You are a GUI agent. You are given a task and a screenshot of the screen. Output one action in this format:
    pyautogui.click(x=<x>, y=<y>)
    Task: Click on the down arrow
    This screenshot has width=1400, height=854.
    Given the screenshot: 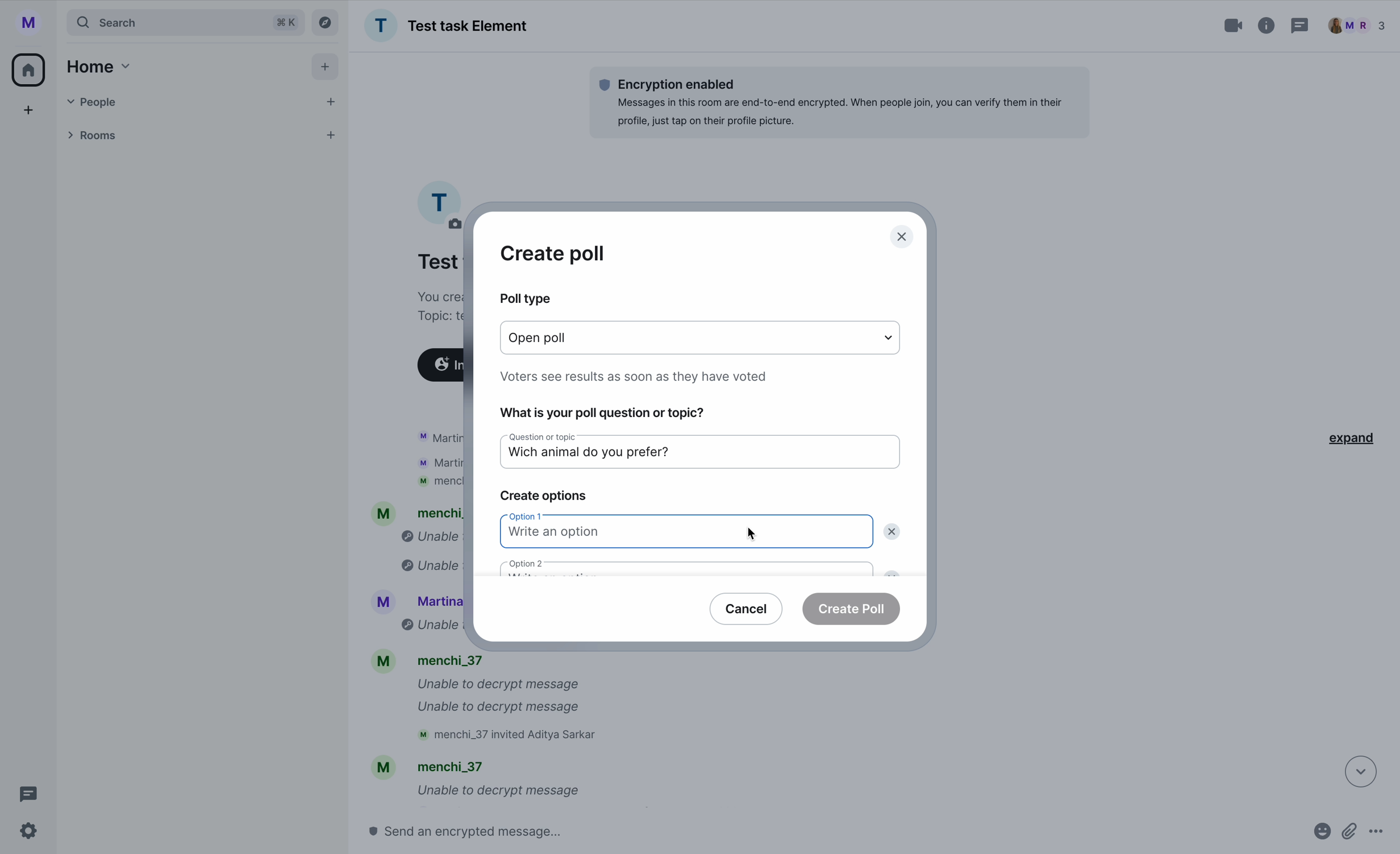 What is the action you would take?
    pyautogui.click(x=1353, y=770)
    